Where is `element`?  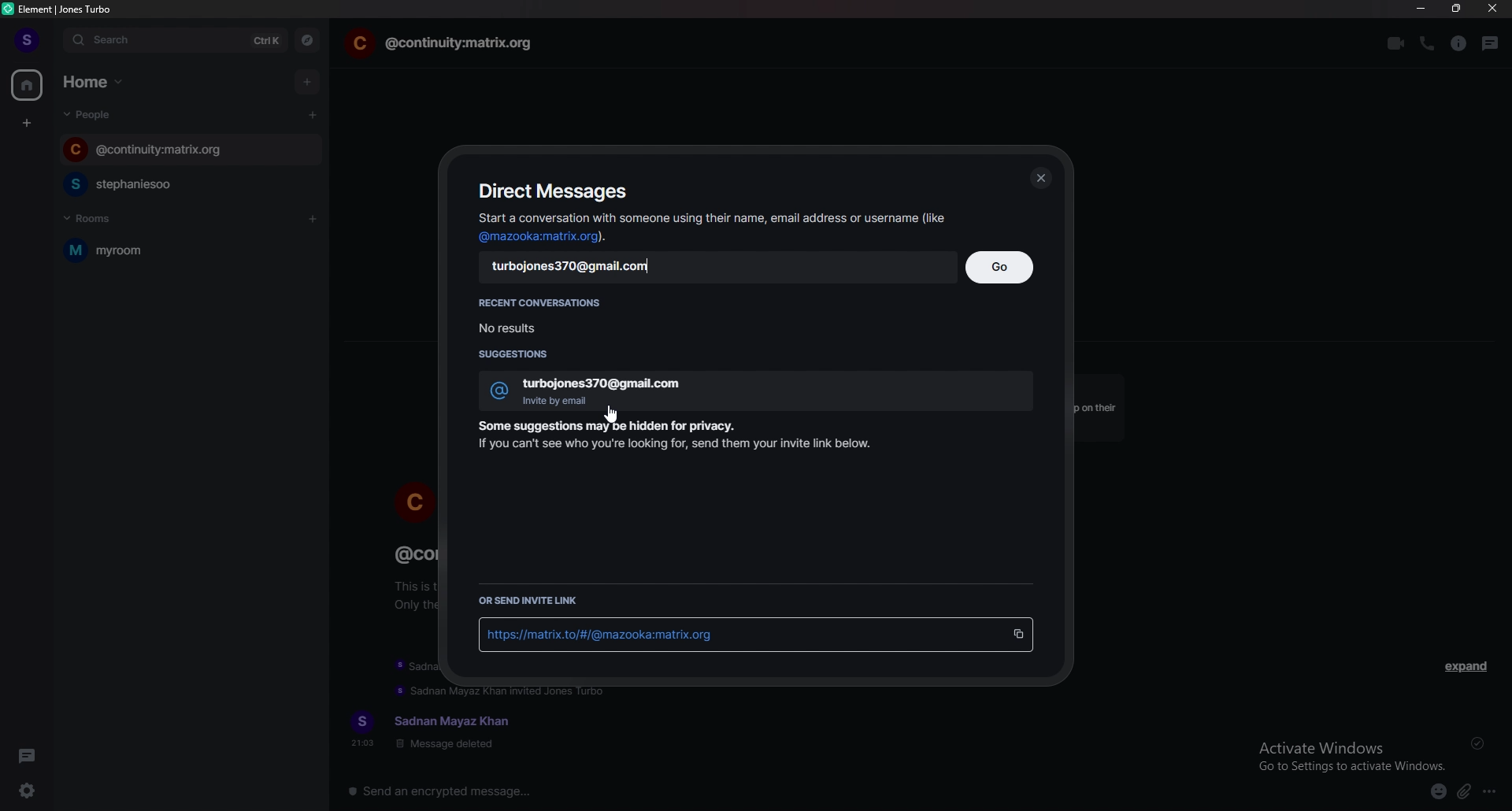 element is located at coordinates (65, 9).